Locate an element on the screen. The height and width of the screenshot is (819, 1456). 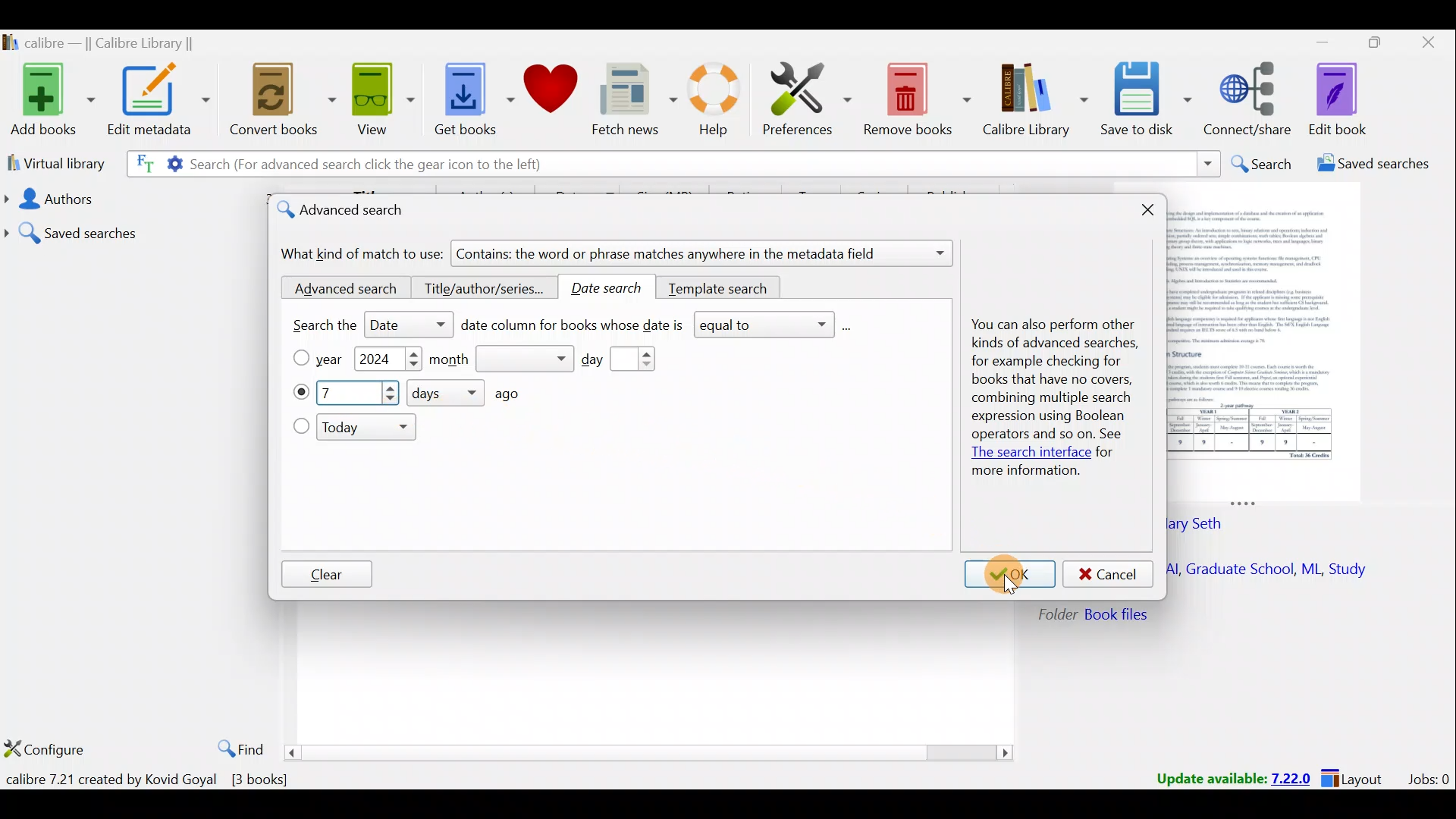
Advanced search is located at coordinates (354, 212).